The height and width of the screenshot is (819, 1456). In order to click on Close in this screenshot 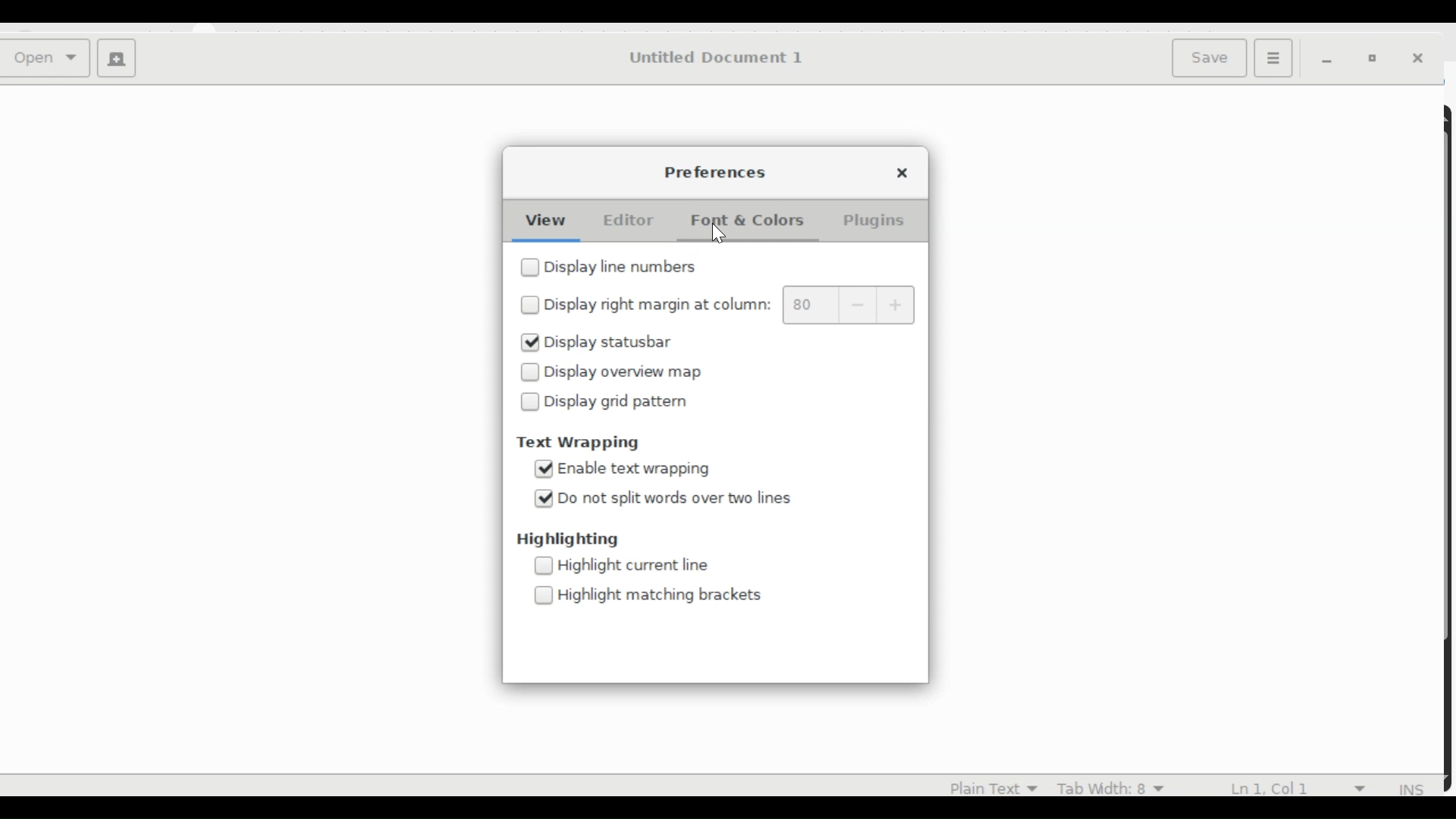, I will do `click(1422, 60)`.